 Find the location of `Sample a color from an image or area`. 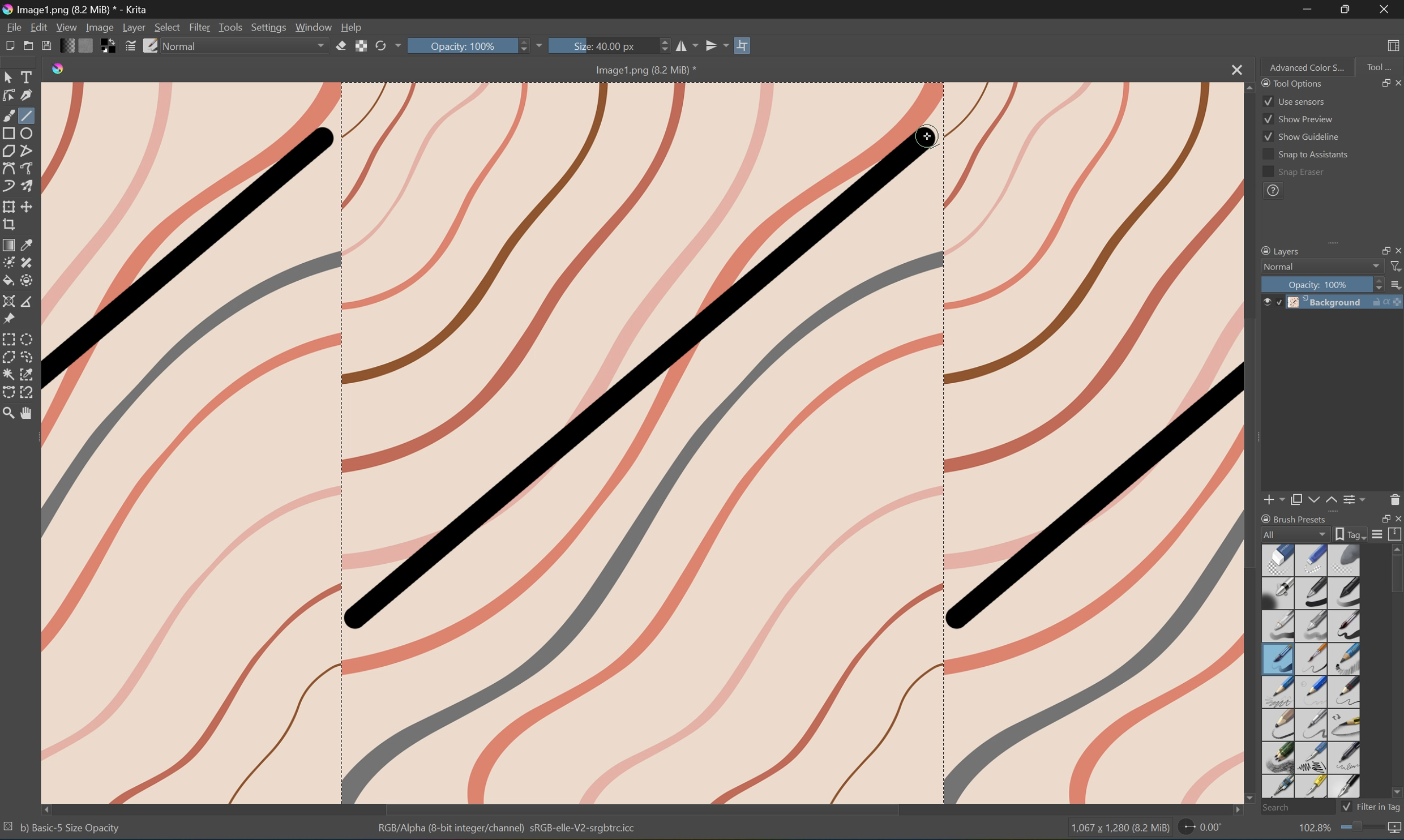

Sample a color from an image or area is located at coordinates (28, 243).